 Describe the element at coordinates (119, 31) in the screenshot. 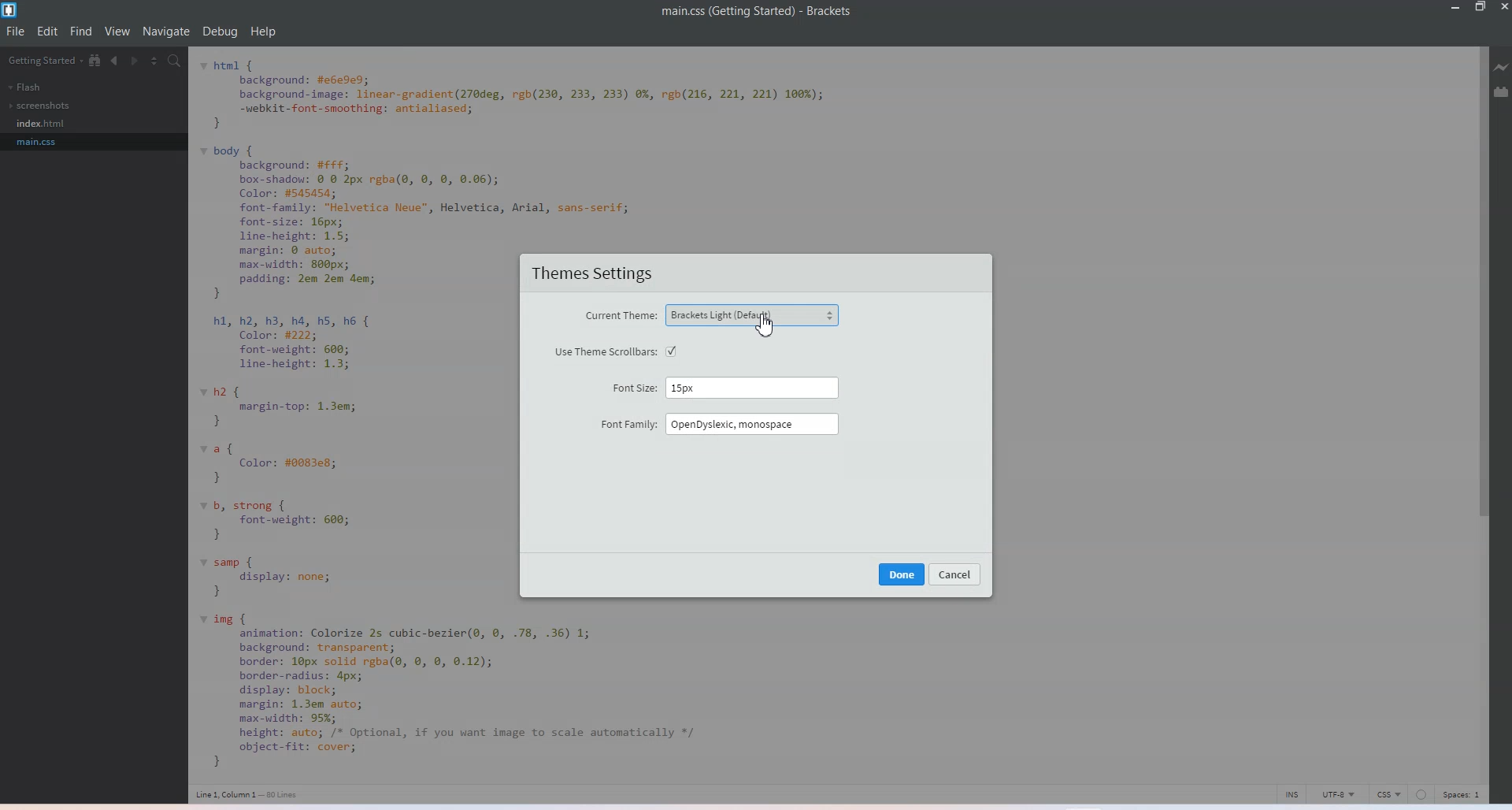

I see `View` at that location.